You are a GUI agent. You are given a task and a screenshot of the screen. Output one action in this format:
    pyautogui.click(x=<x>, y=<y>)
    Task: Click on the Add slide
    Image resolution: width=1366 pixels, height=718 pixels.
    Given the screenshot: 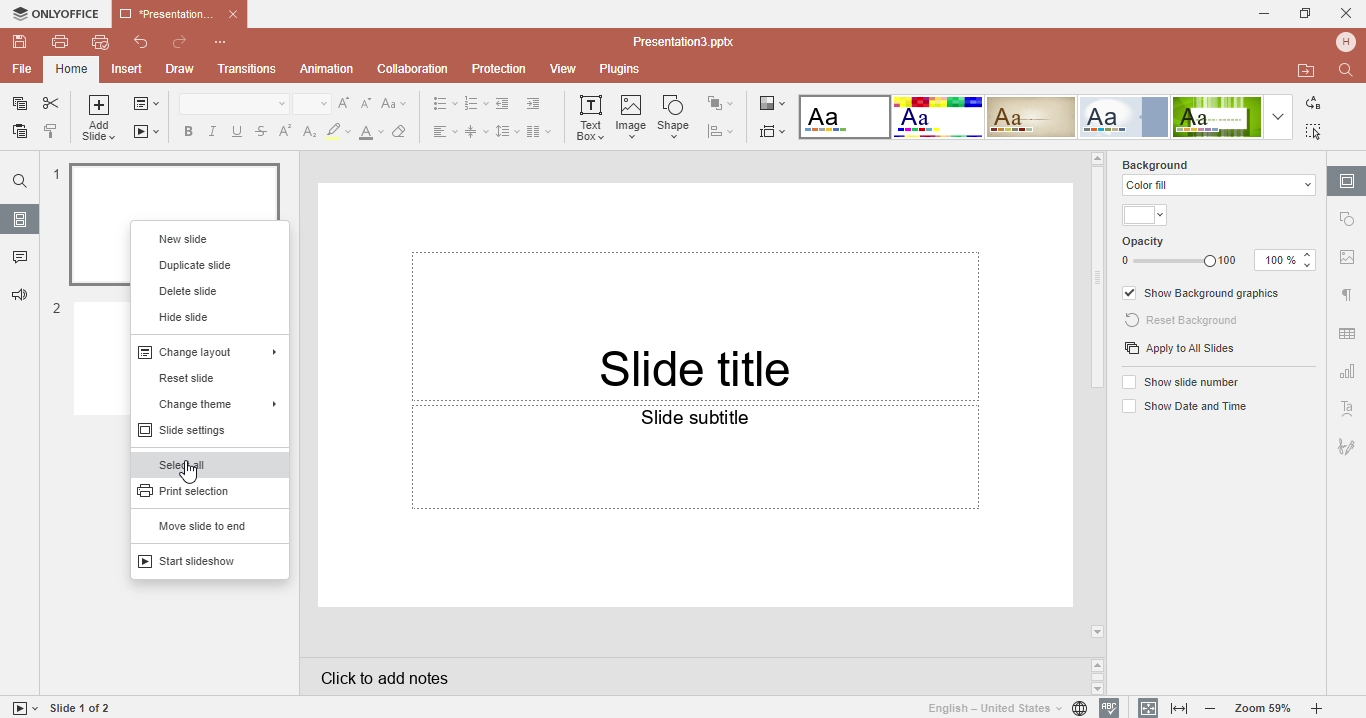 What is the action you would take?
    pyautogui.click(x=100, y=120)
    